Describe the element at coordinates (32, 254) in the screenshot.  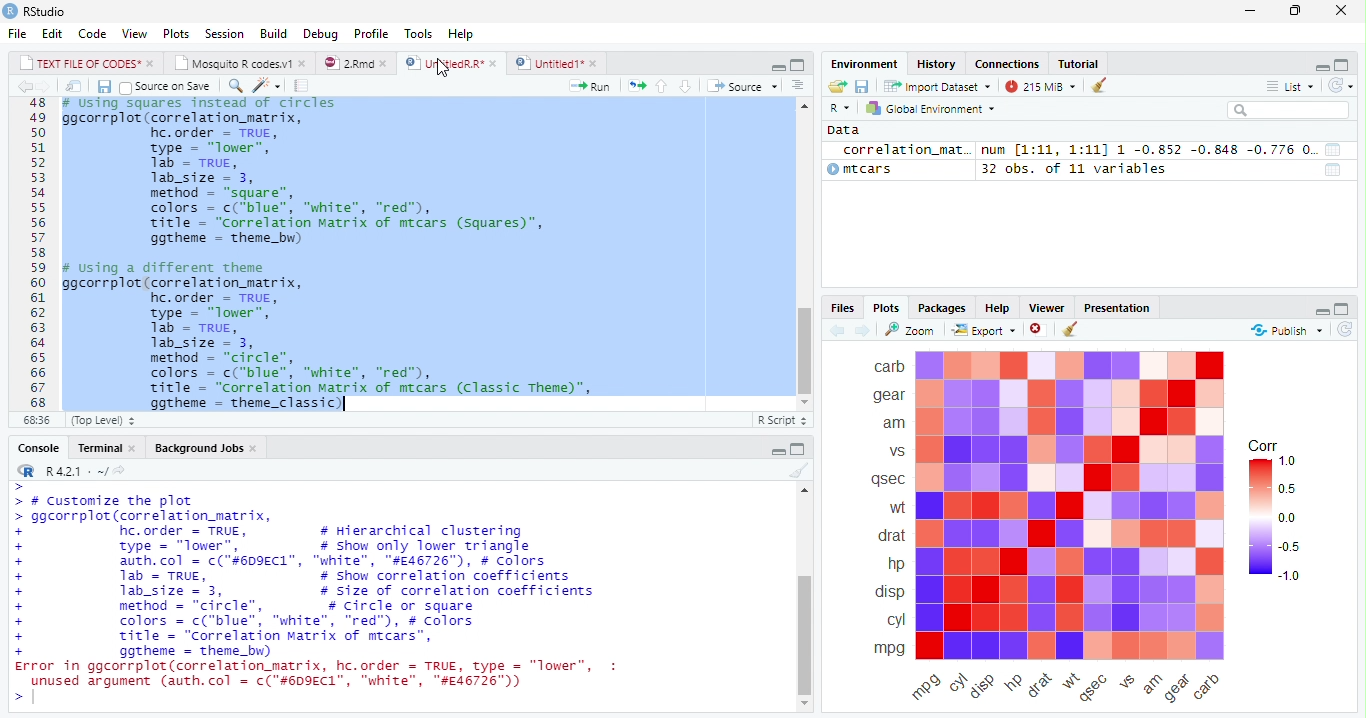
I see `Err
49
50
51
52
53
54
55
56
57
58
59
60
61
62
63
64
65
66
67
68` at that location.